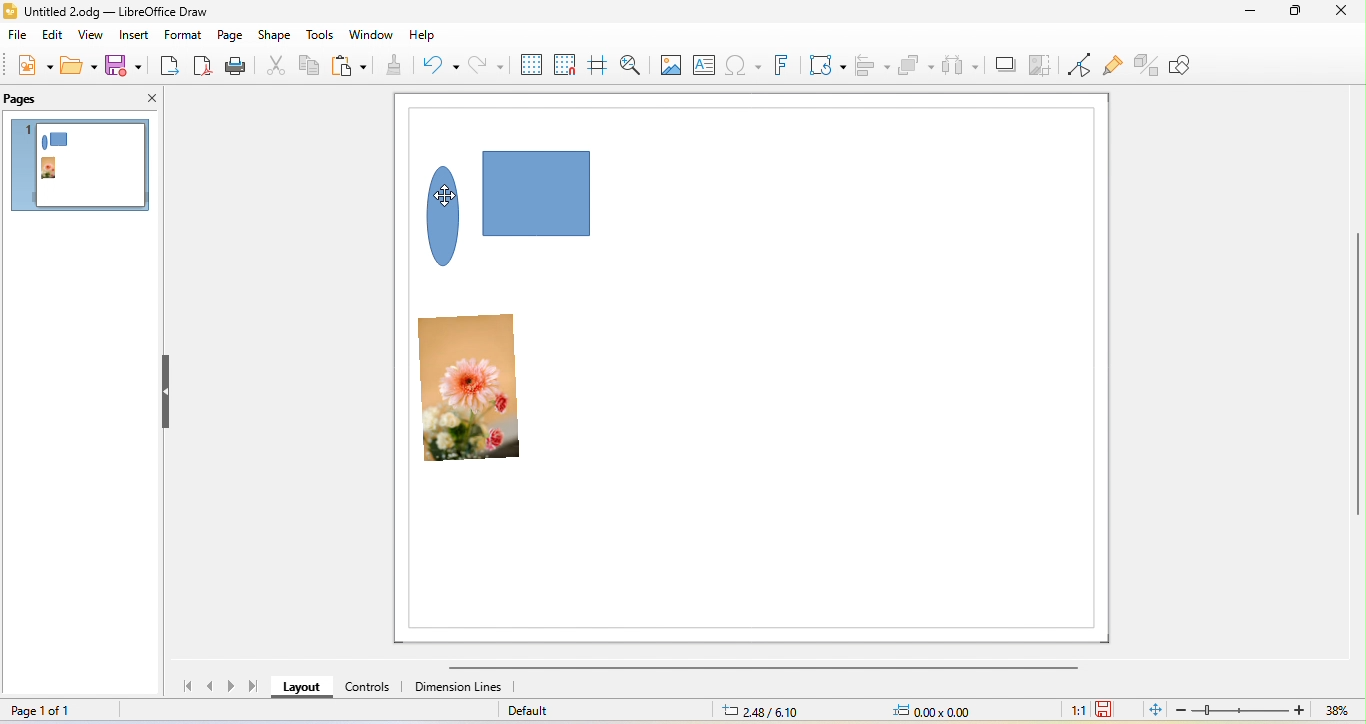 This screenshot has height=724, width=1366. What do you see at coordinates (759, 712) in the screenshot?
I see `2.48/6.10` at bounding box center [759, 712].